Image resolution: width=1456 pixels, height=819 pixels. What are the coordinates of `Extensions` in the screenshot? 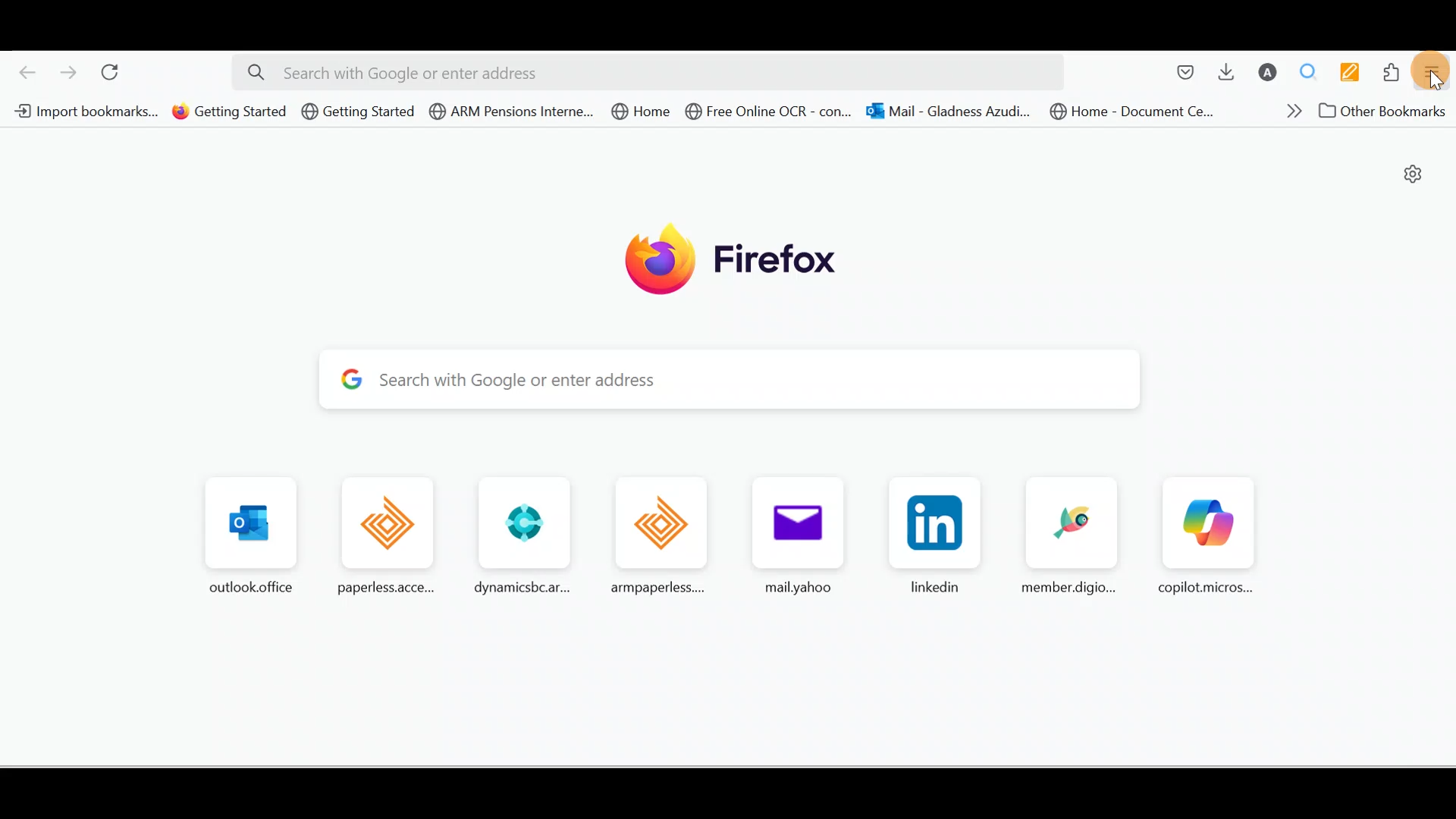 It's located at (1395, 73).